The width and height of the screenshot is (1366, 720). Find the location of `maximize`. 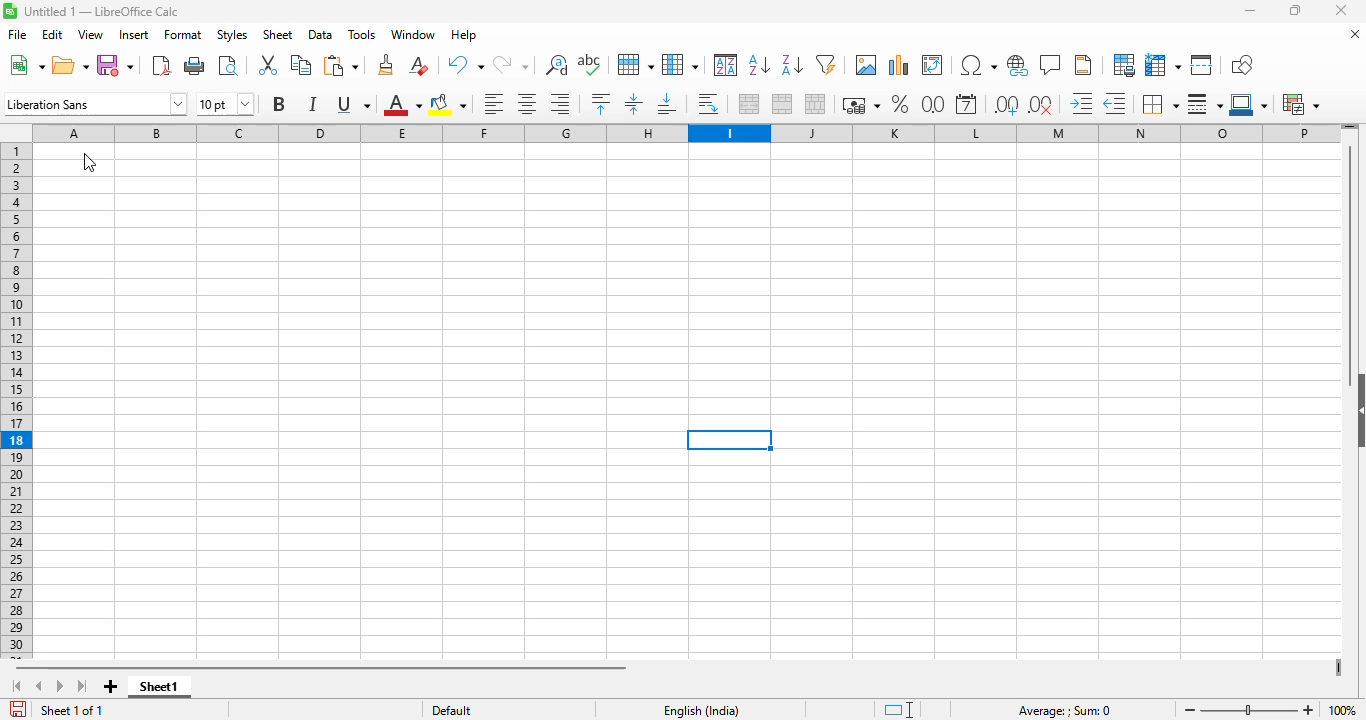

maximize is located at coordinates (1293, 11).